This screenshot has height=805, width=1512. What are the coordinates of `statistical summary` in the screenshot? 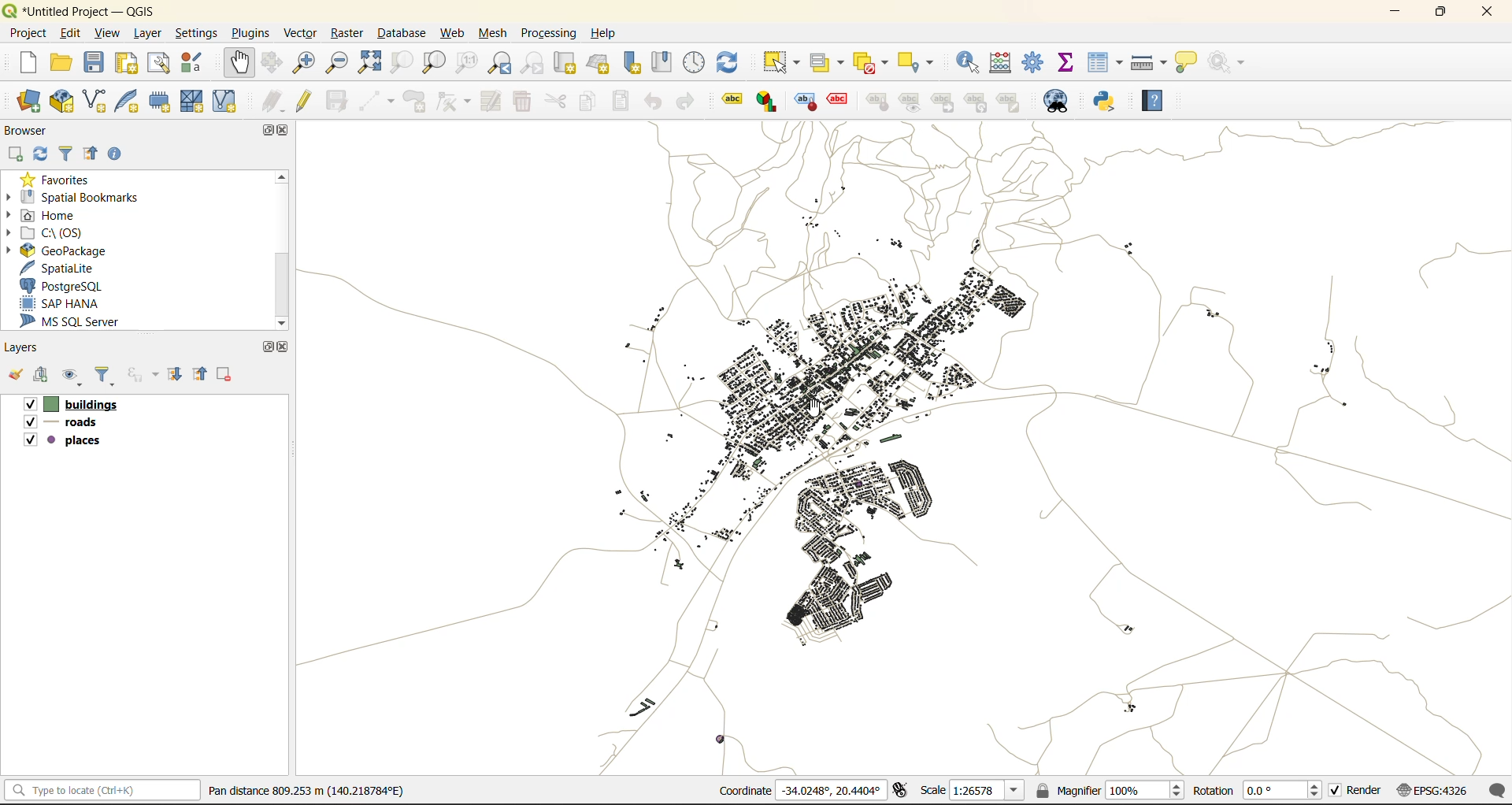 It's located at (1069, 62).